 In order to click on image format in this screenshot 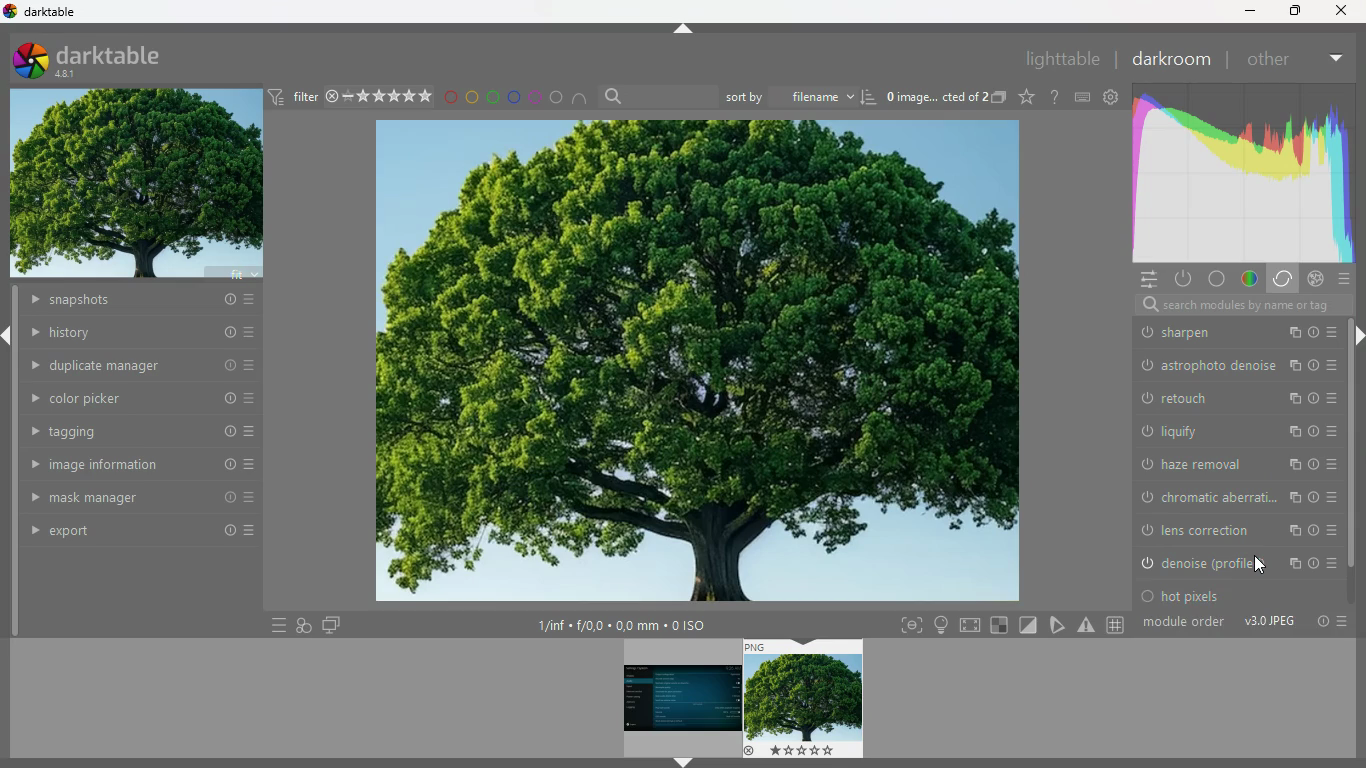, I will do `click(1269, 622)`.